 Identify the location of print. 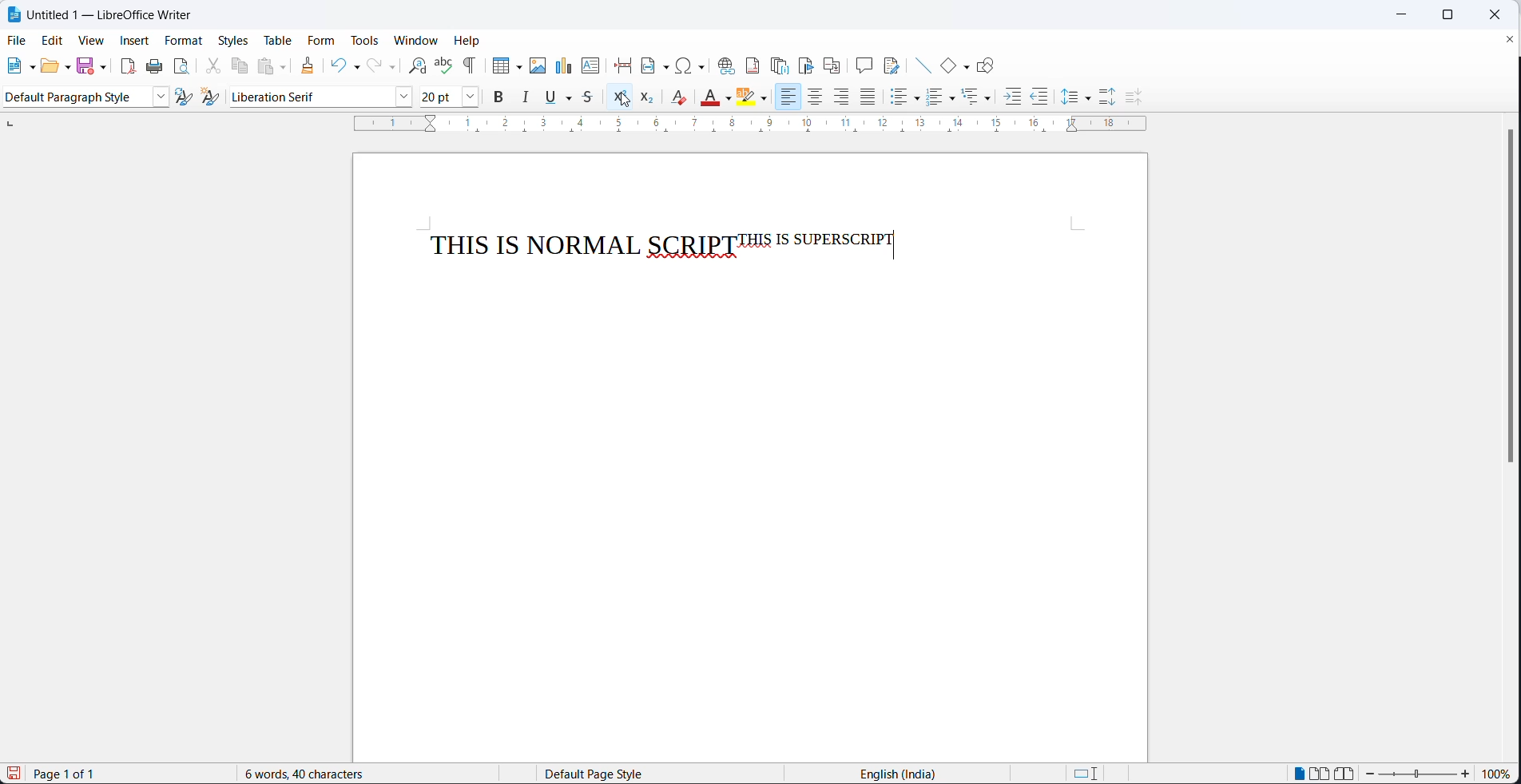
(153, 68).